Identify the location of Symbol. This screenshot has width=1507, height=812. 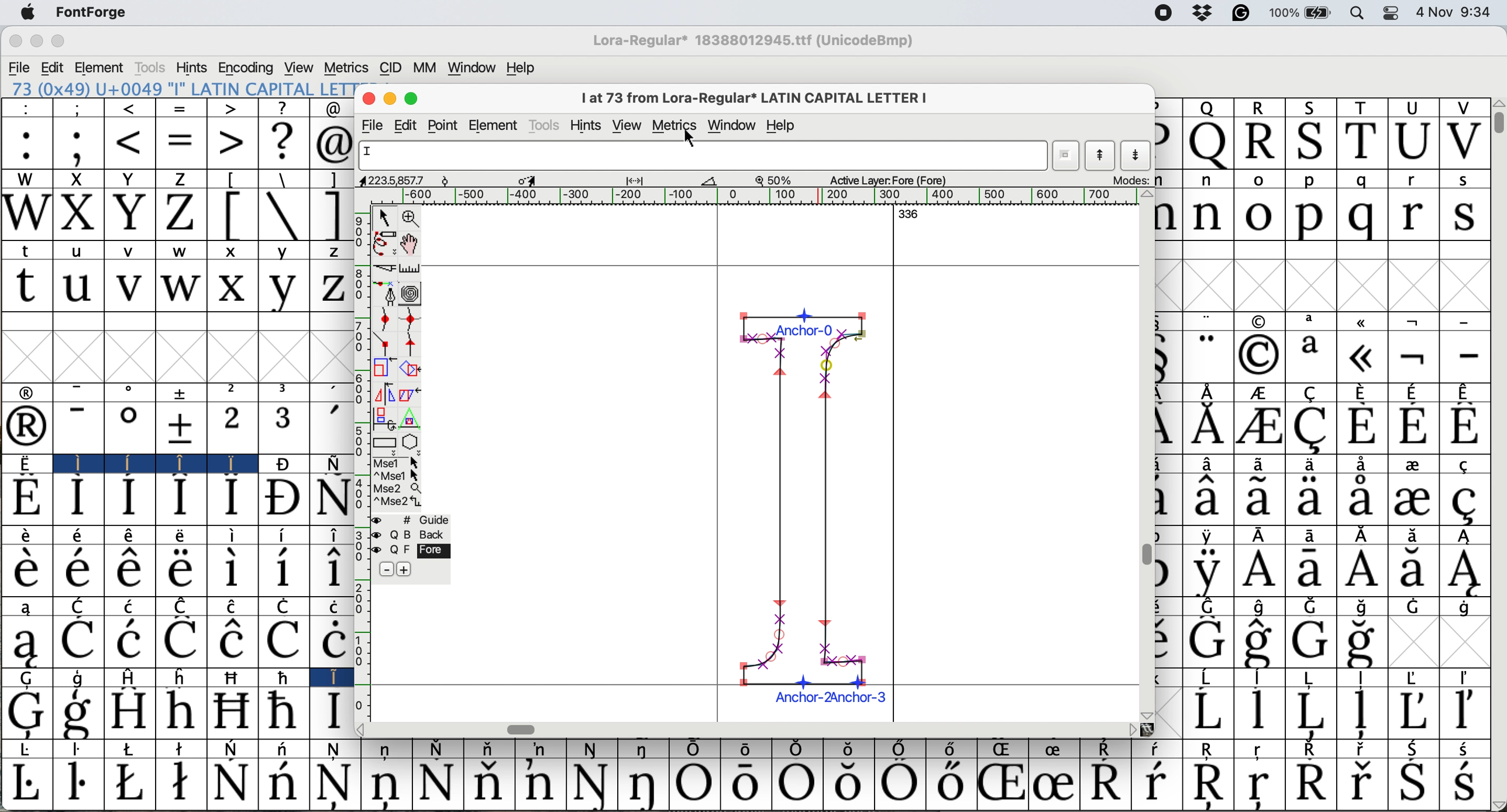
(1312, 428).